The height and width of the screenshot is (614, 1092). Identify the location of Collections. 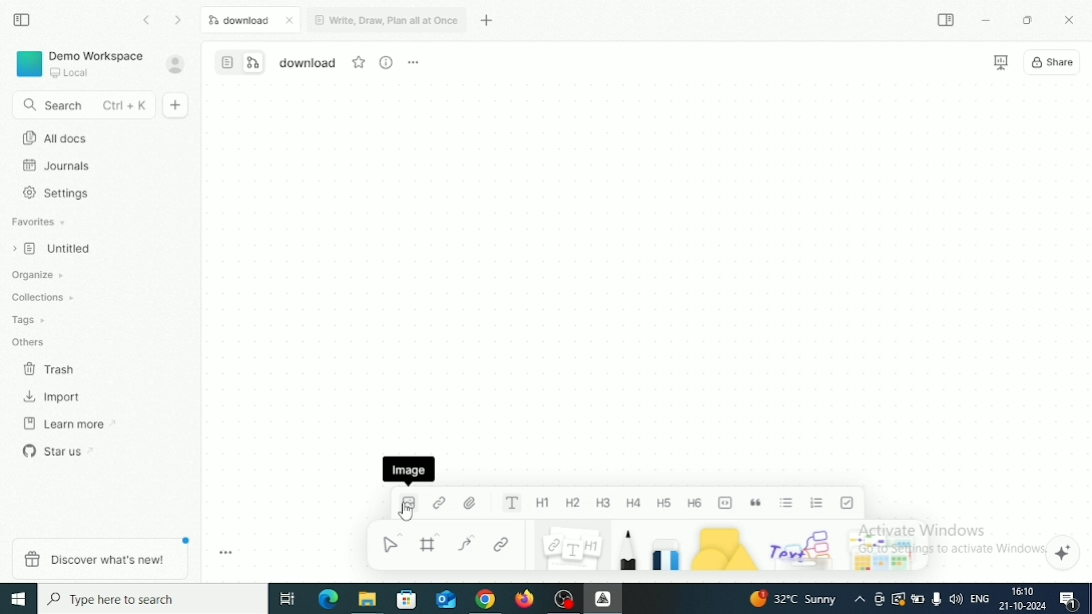
(44, 297).